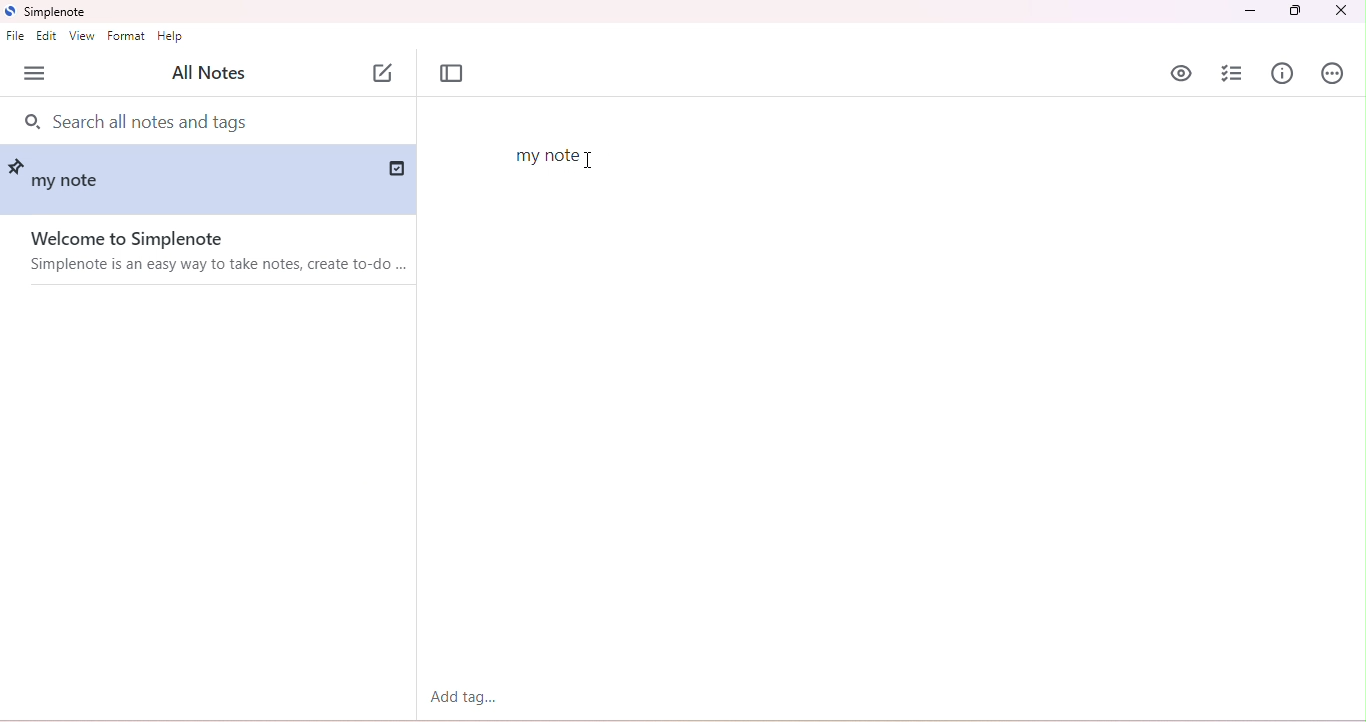 This screenshot has width=1366, height=722. I want to click on pin, so click(19, 164).